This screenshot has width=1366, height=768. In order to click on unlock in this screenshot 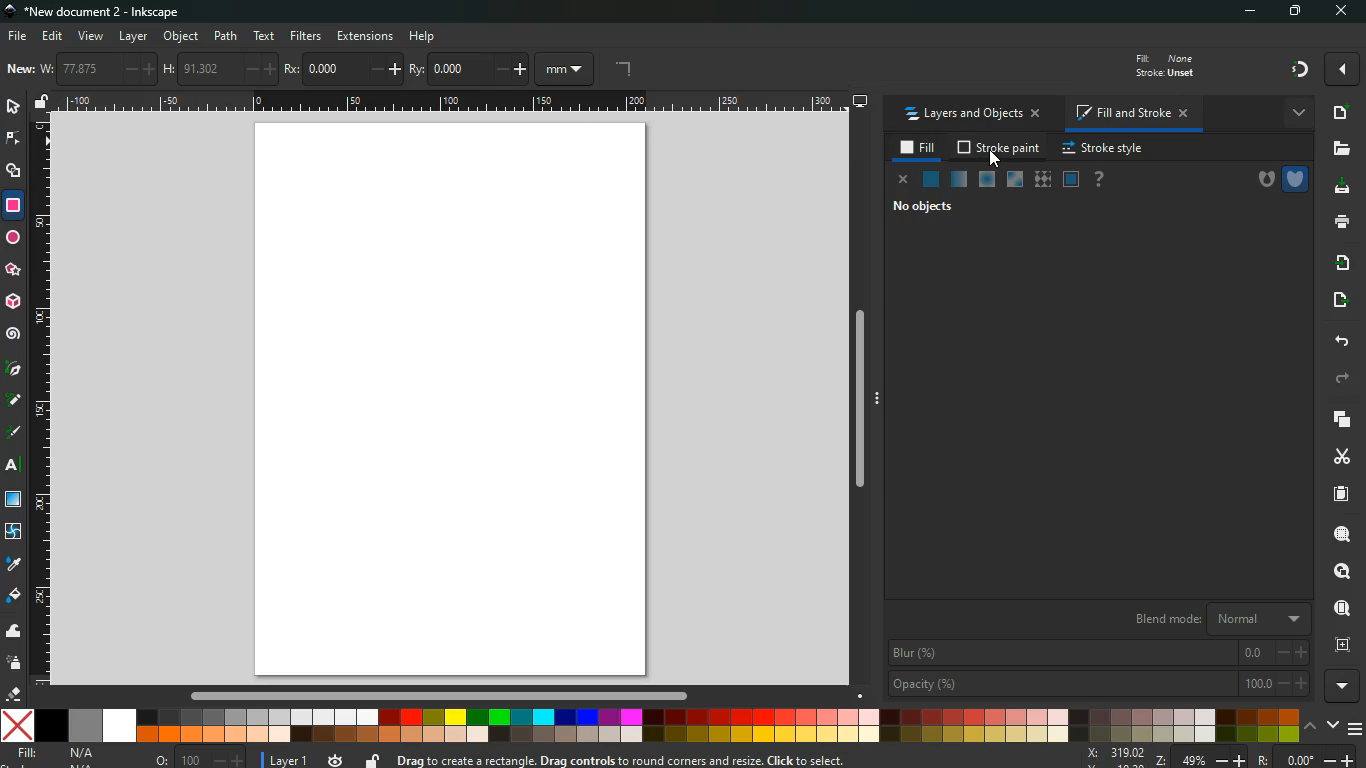, I will do `click(369, 760)`.